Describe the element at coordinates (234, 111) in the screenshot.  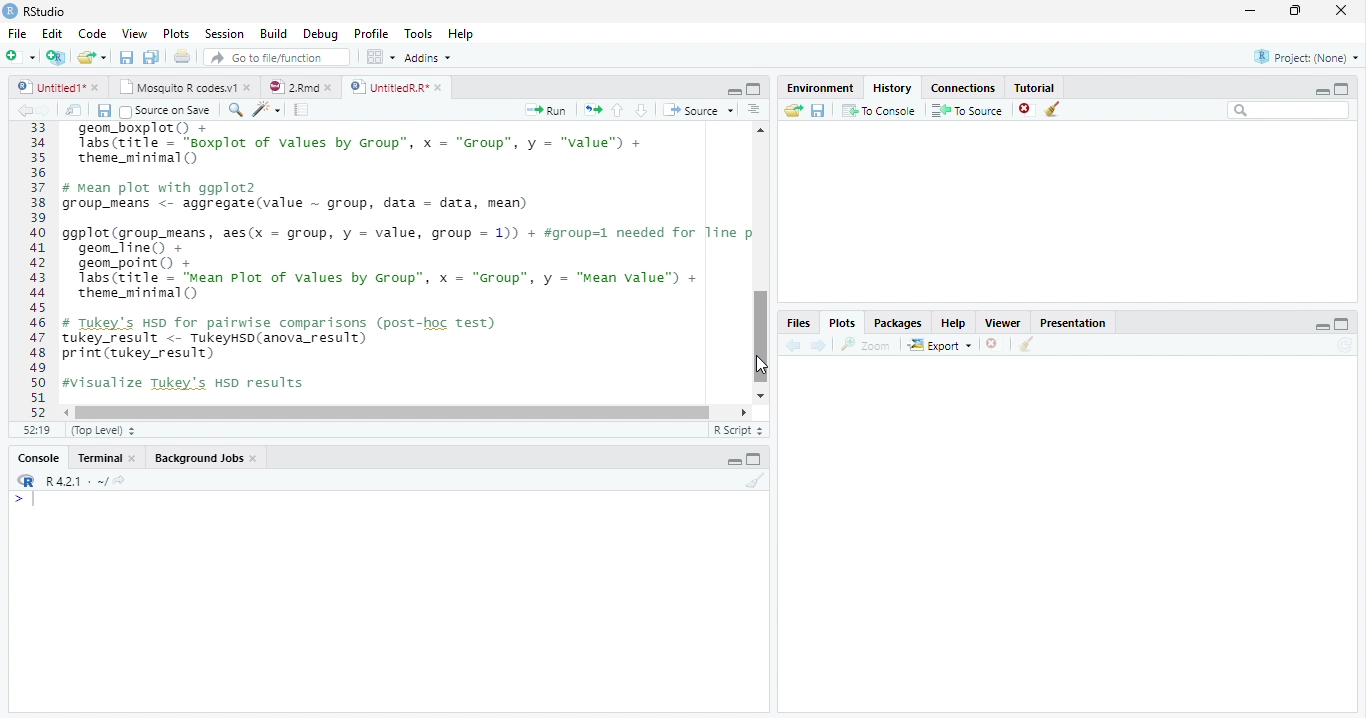
I see `Zoom In` at that location.